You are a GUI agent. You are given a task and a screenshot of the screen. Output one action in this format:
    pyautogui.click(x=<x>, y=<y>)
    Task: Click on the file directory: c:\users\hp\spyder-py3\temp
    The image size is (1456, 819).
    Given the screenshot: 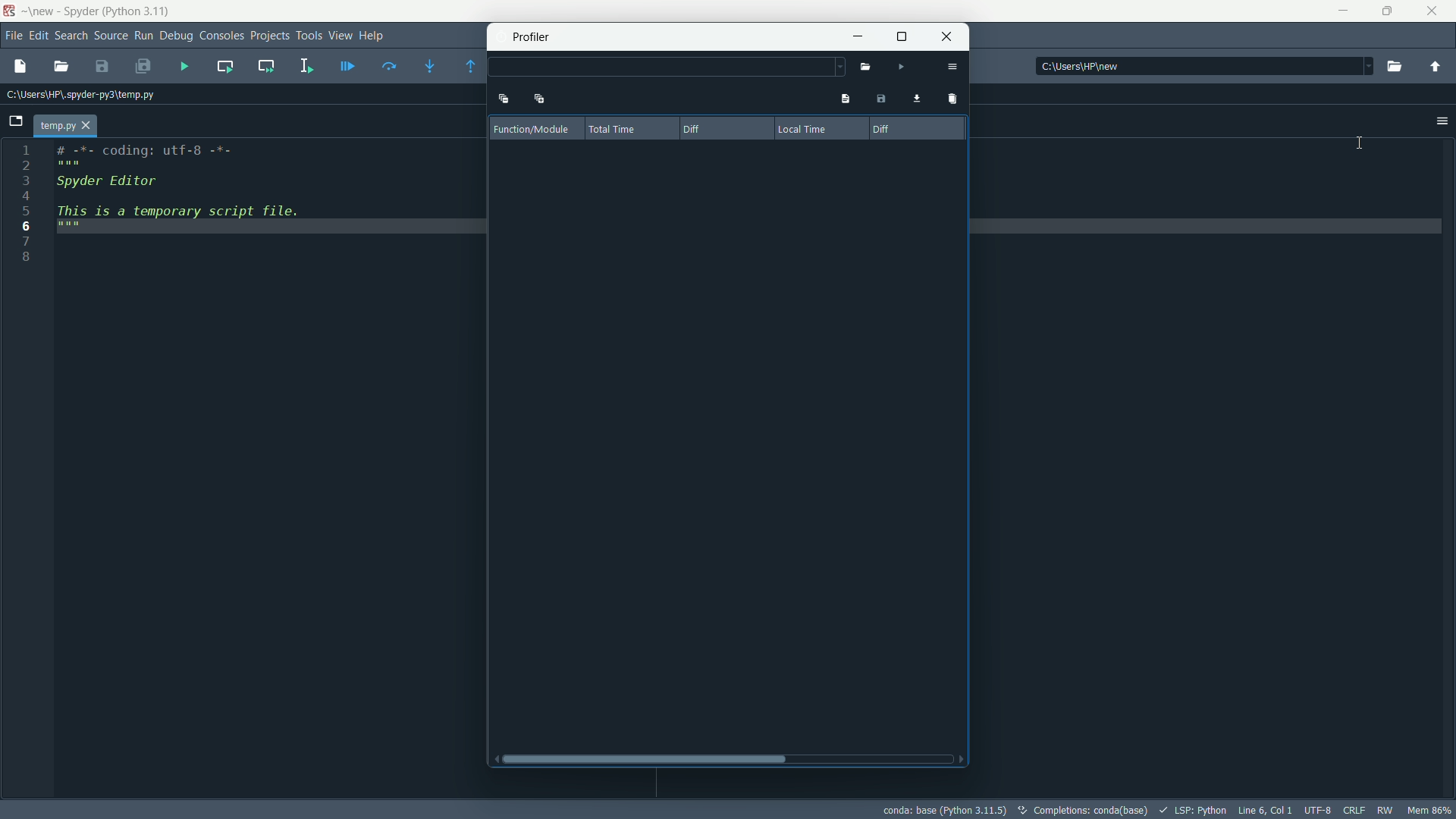 What is the action you would take?
    pyautogui.click(x=81, y=96)
    